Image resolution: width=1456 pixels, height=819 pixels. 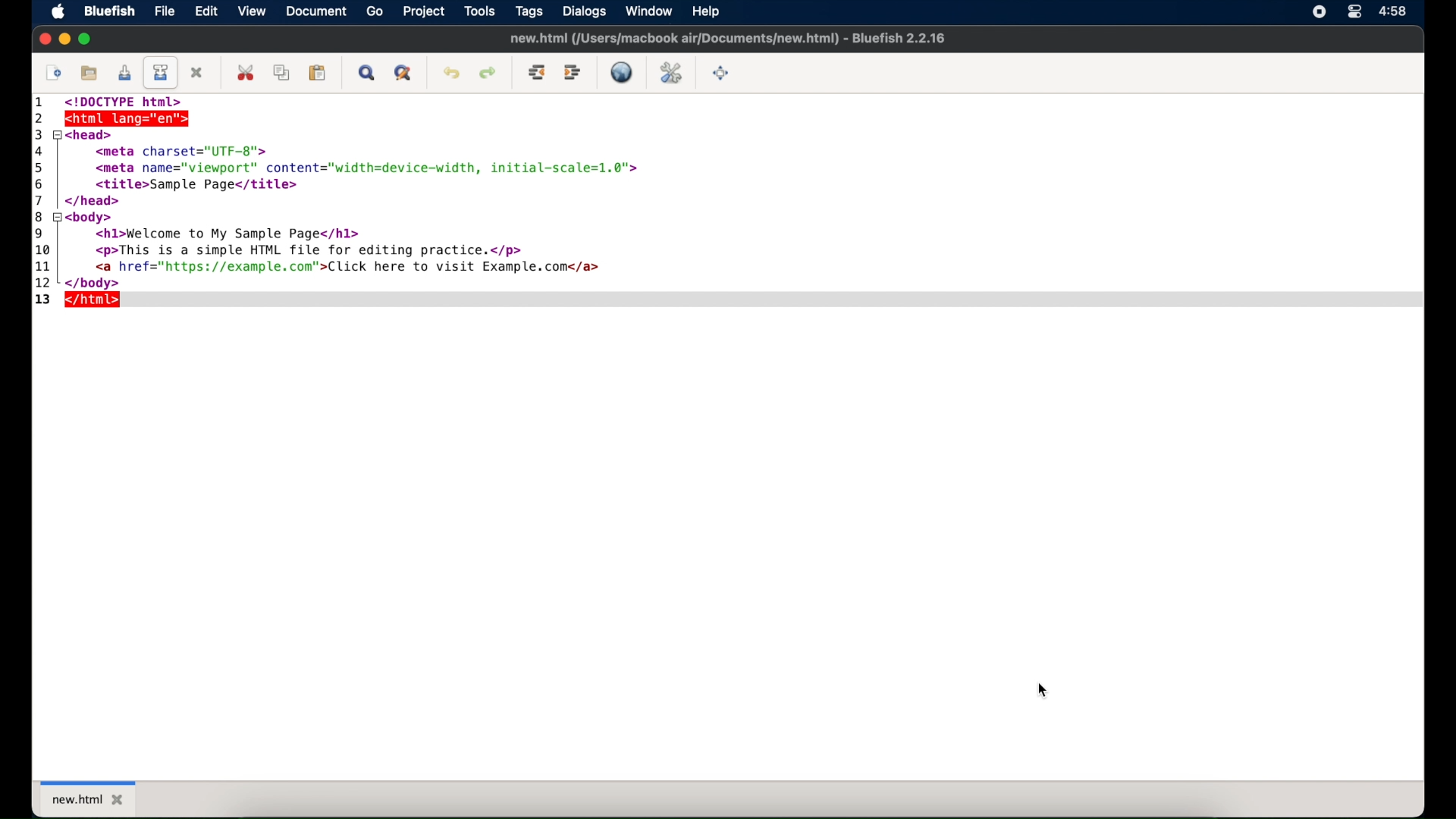 I want to click on go, so click(x=375, y=11).